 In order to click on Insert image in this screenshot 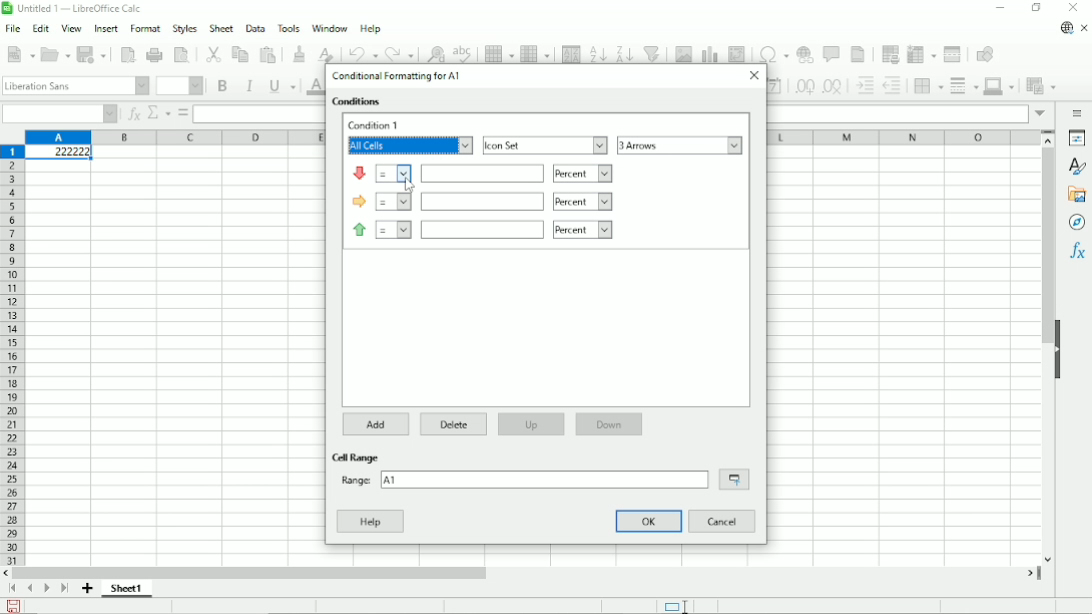, I will do `click(682, 52)`.